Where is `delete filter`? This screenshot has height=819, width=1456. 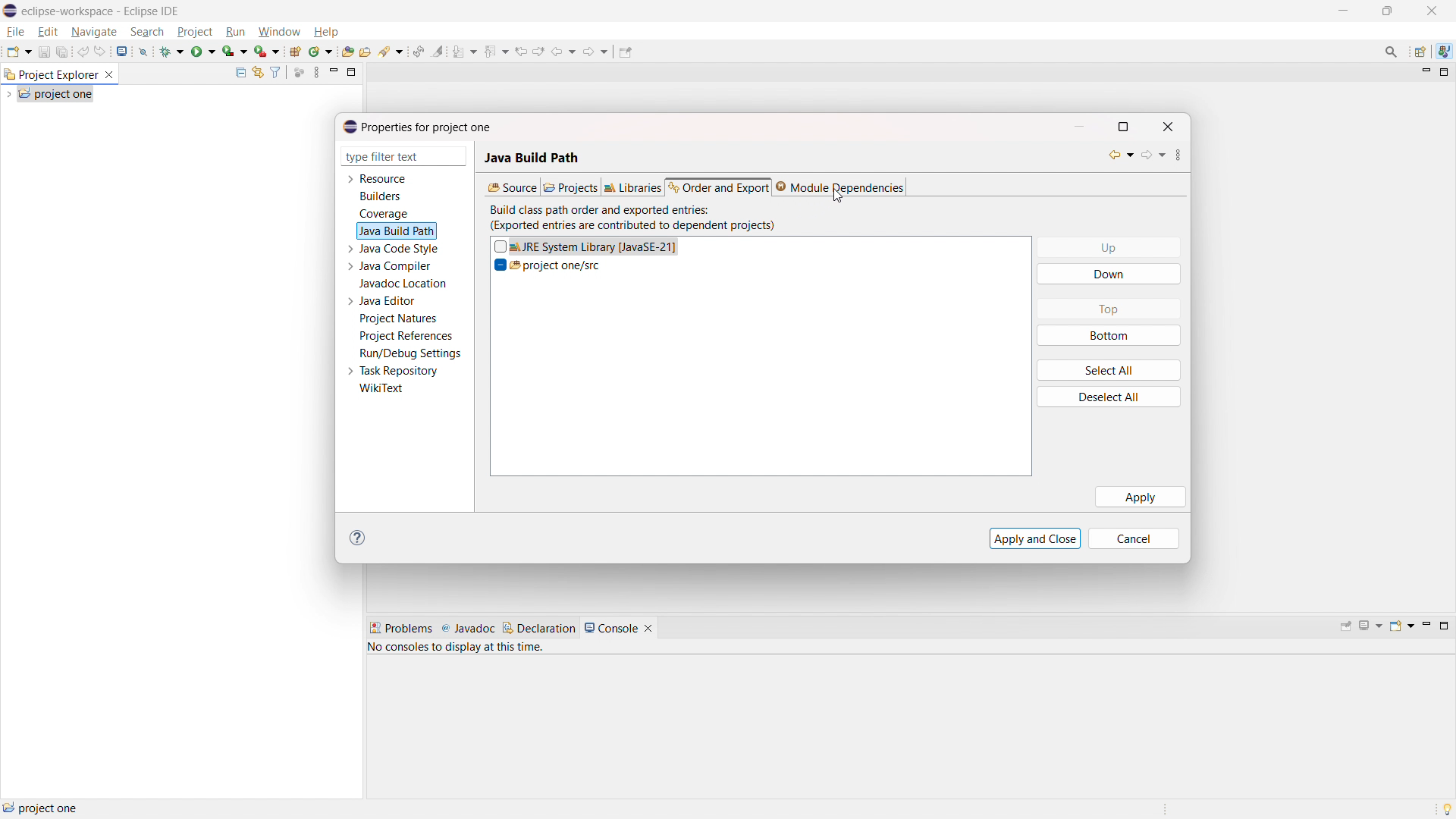
delete filter is located at coordinates (458, 157).